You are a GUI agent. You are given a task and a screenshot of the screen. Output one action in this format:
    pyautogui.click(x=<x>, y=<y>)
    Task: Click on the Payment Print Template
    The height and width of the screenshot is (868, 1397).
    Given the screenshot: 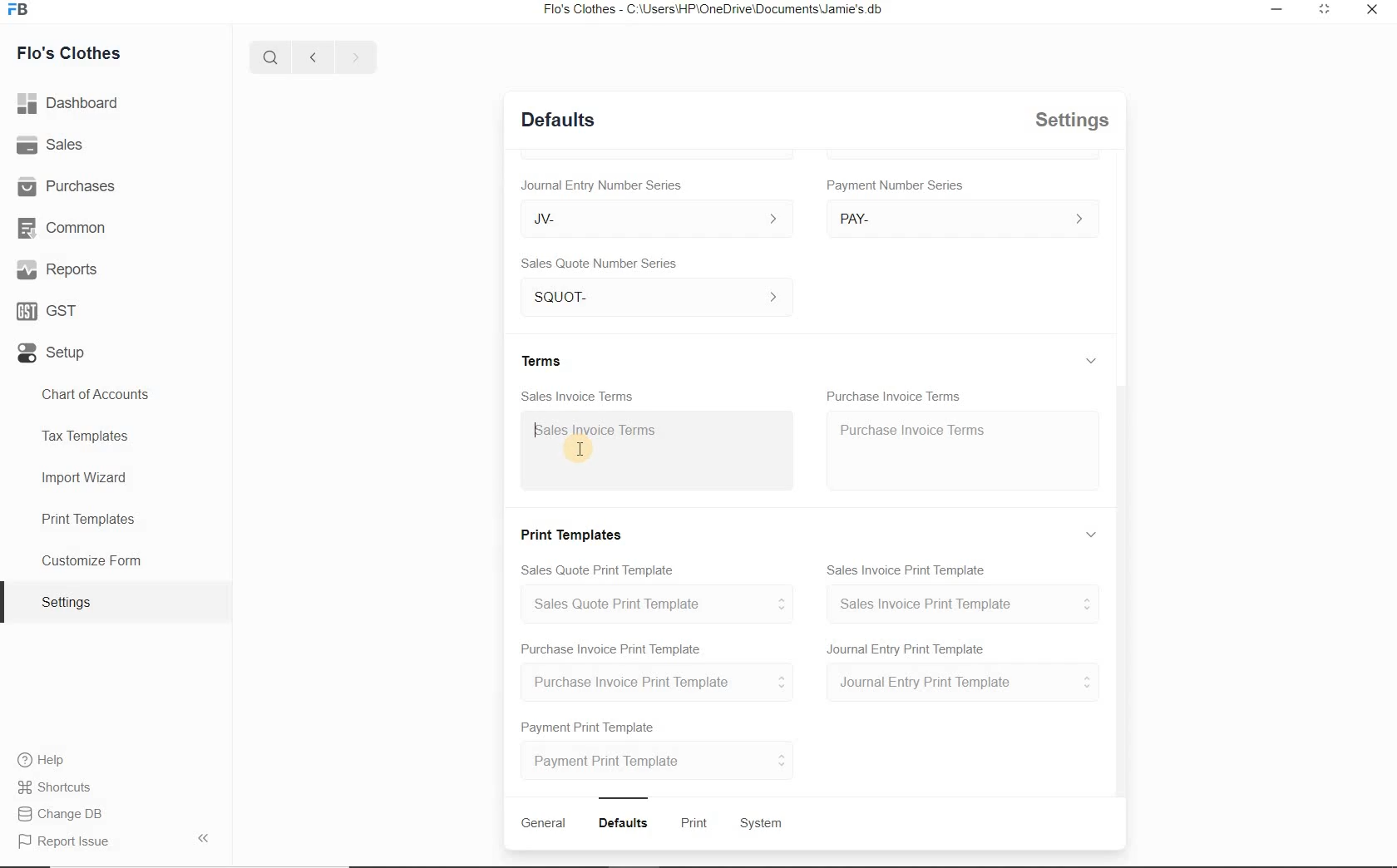 What is the action you would take?
    pyautogui.click(x=659, y=760)
    